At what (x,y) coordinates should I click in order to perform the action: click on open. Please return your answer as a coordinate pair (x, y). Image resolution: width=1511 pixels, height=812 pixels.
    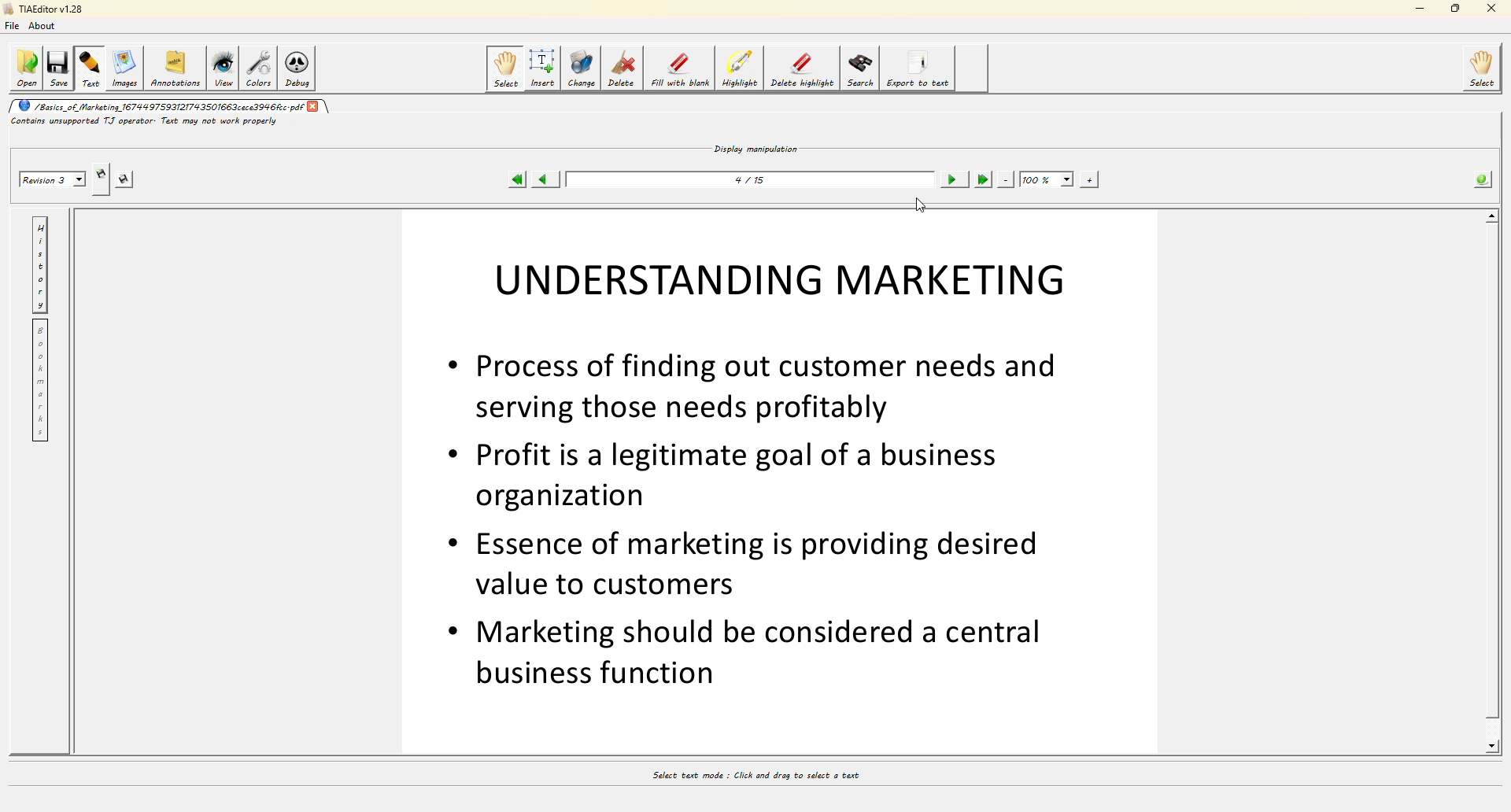
    Looking at the image, I should click on (25, 68).